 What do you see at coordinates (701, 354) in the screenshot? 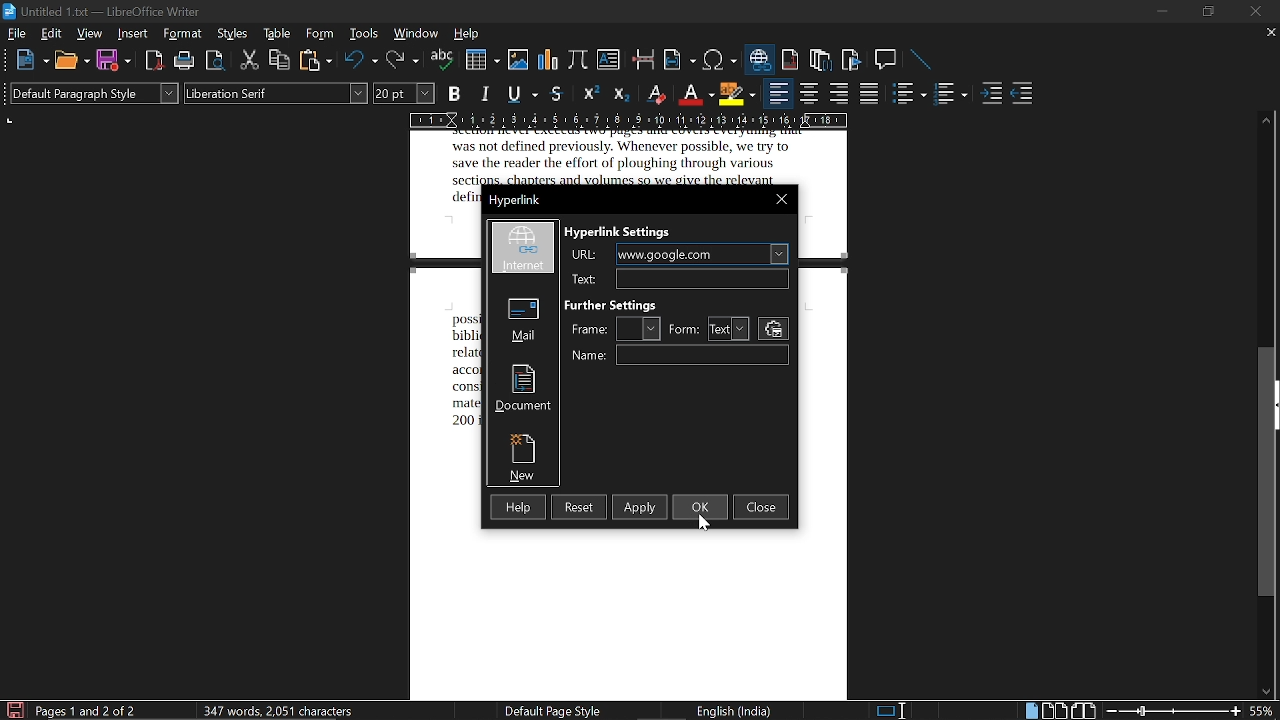
I see `name` at bounding box center [701, 354].